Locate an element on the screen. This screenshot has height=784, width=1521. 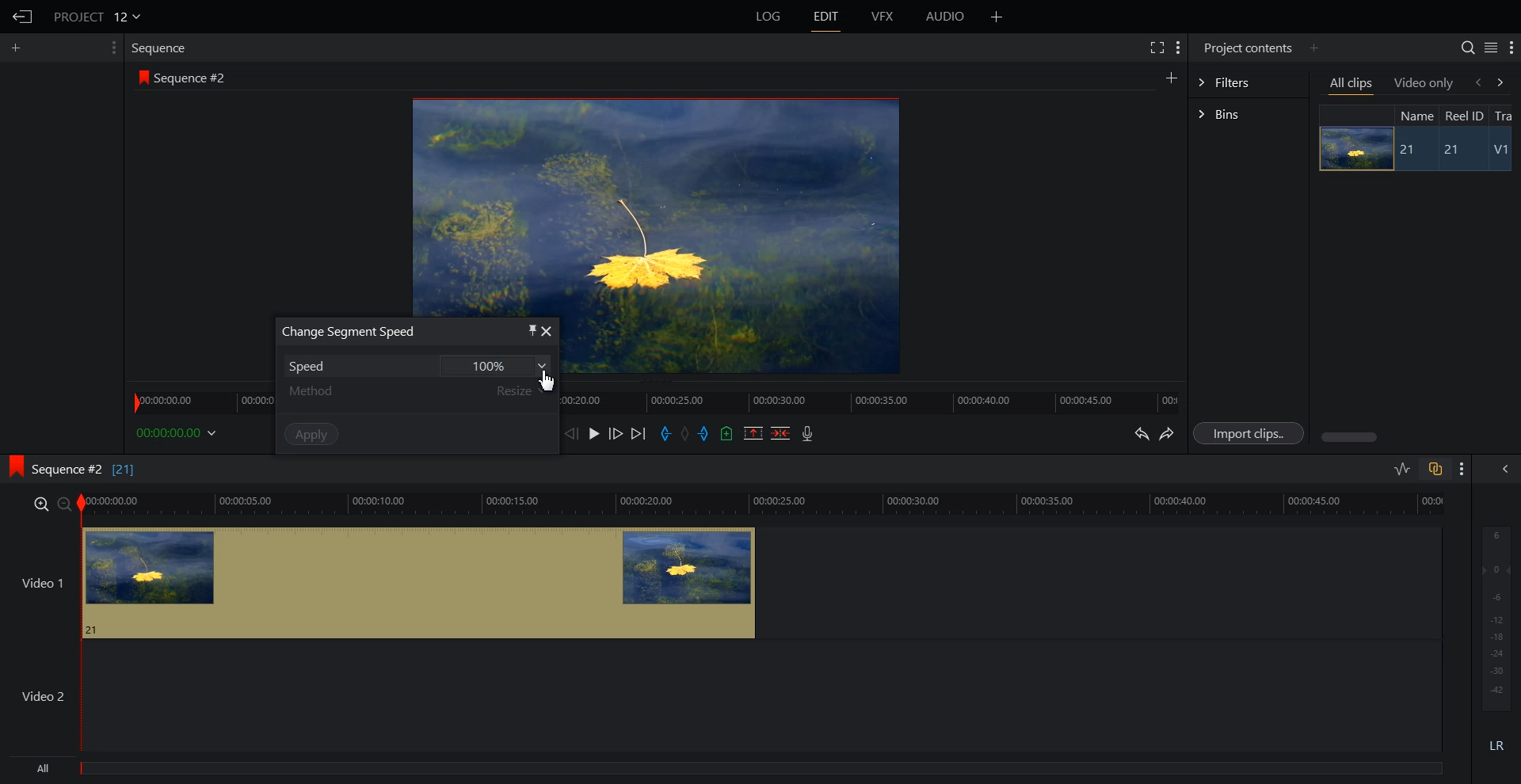
video 1 is located at coordinates (379, 580).